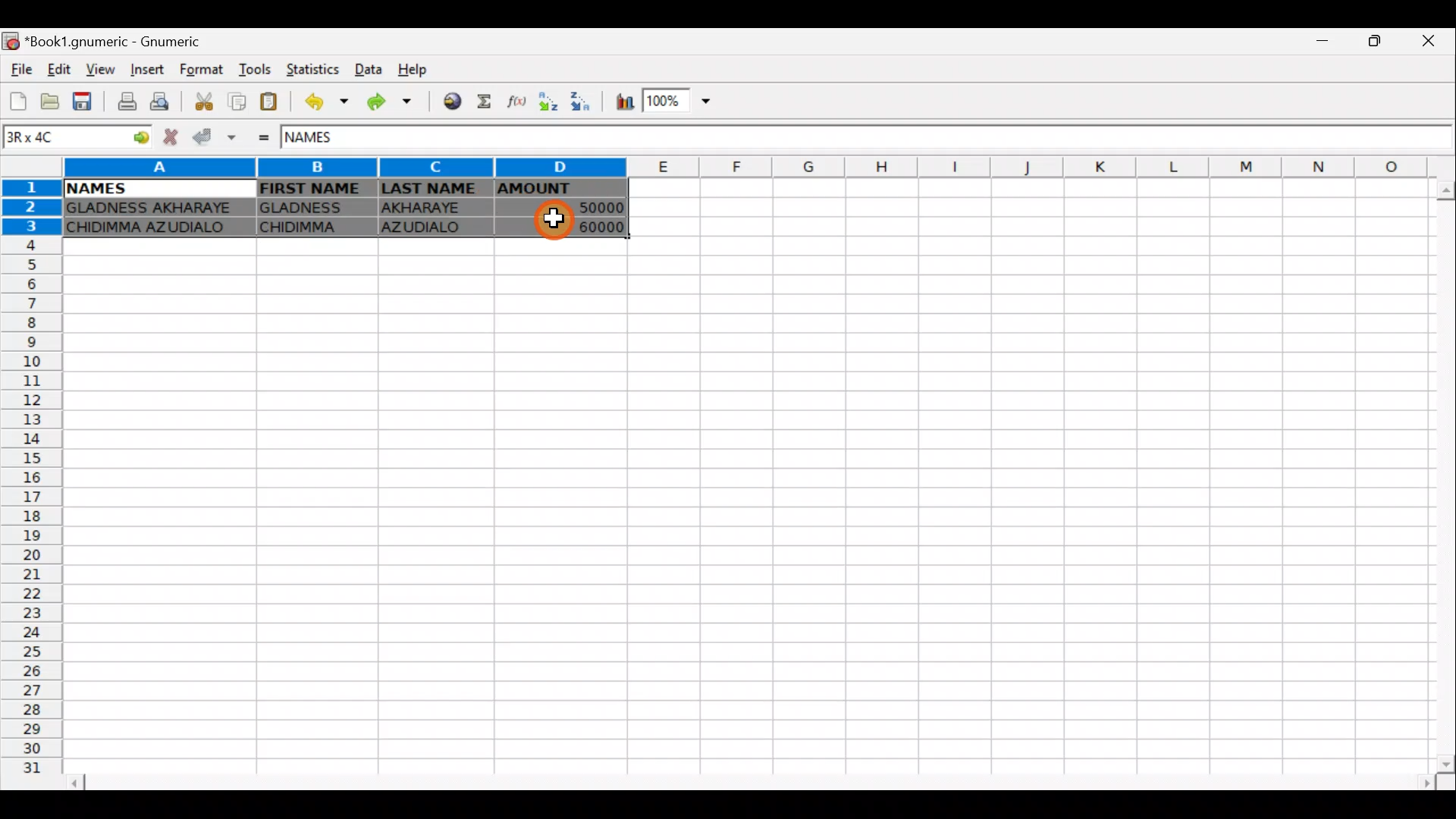 This screenshot has height=819, width=1456. What do you see at coordinates (395, 105) in the screenshot?
I see `Redo undone action` at bounding box center [395, 105].